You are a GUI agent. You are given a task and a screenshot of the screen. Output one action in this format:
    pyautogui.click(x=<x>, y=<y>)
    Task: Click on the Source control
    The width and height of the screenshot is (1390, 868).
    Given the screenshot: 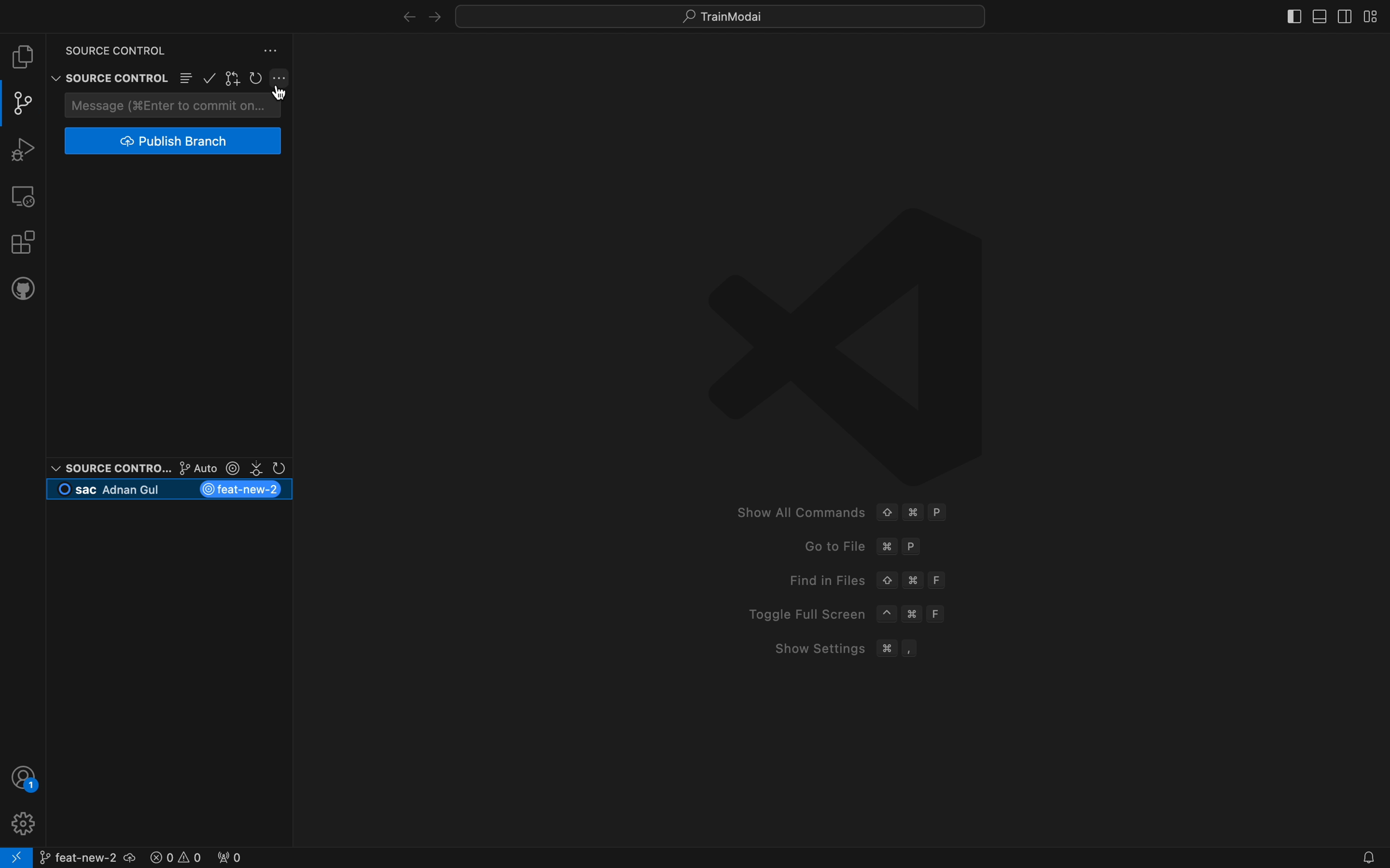 What is the action you would take?
    pyautogui.click(x=107, y=67)
    